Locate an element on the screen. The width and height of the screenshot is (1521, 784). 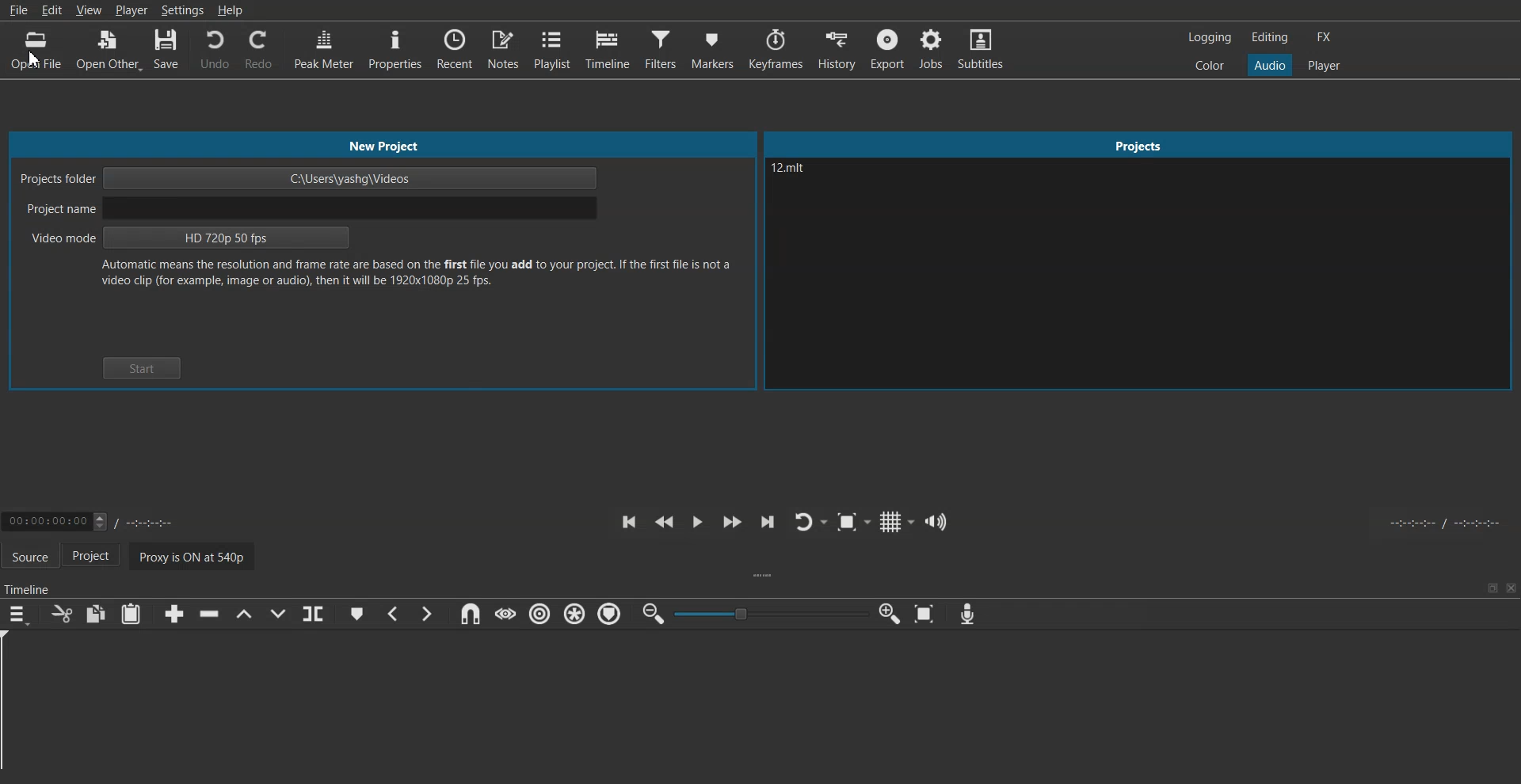
Minimize is located at coordinates (1492, 588).